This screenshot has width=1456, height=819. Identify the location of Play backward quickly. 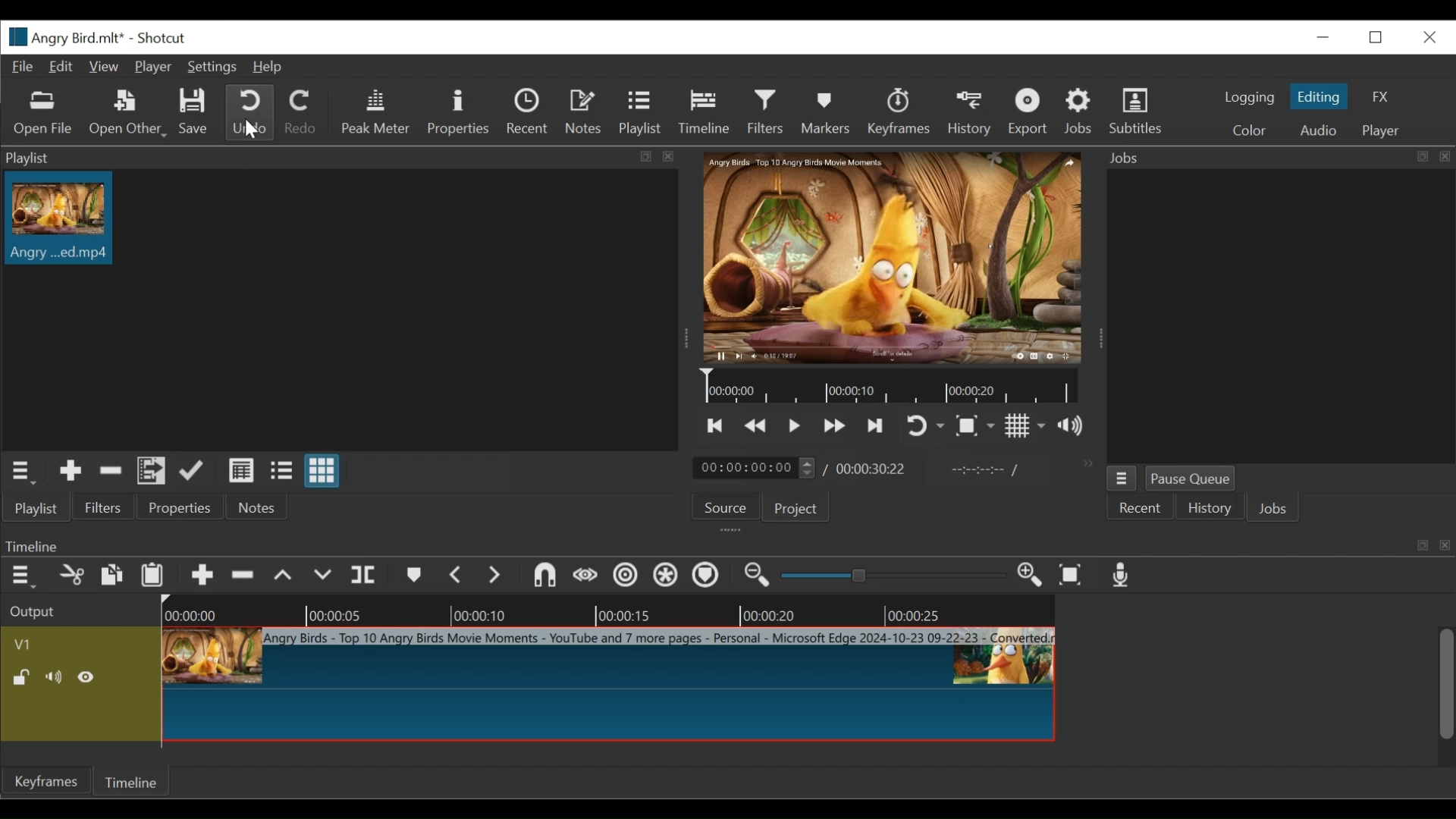
(754, 425).